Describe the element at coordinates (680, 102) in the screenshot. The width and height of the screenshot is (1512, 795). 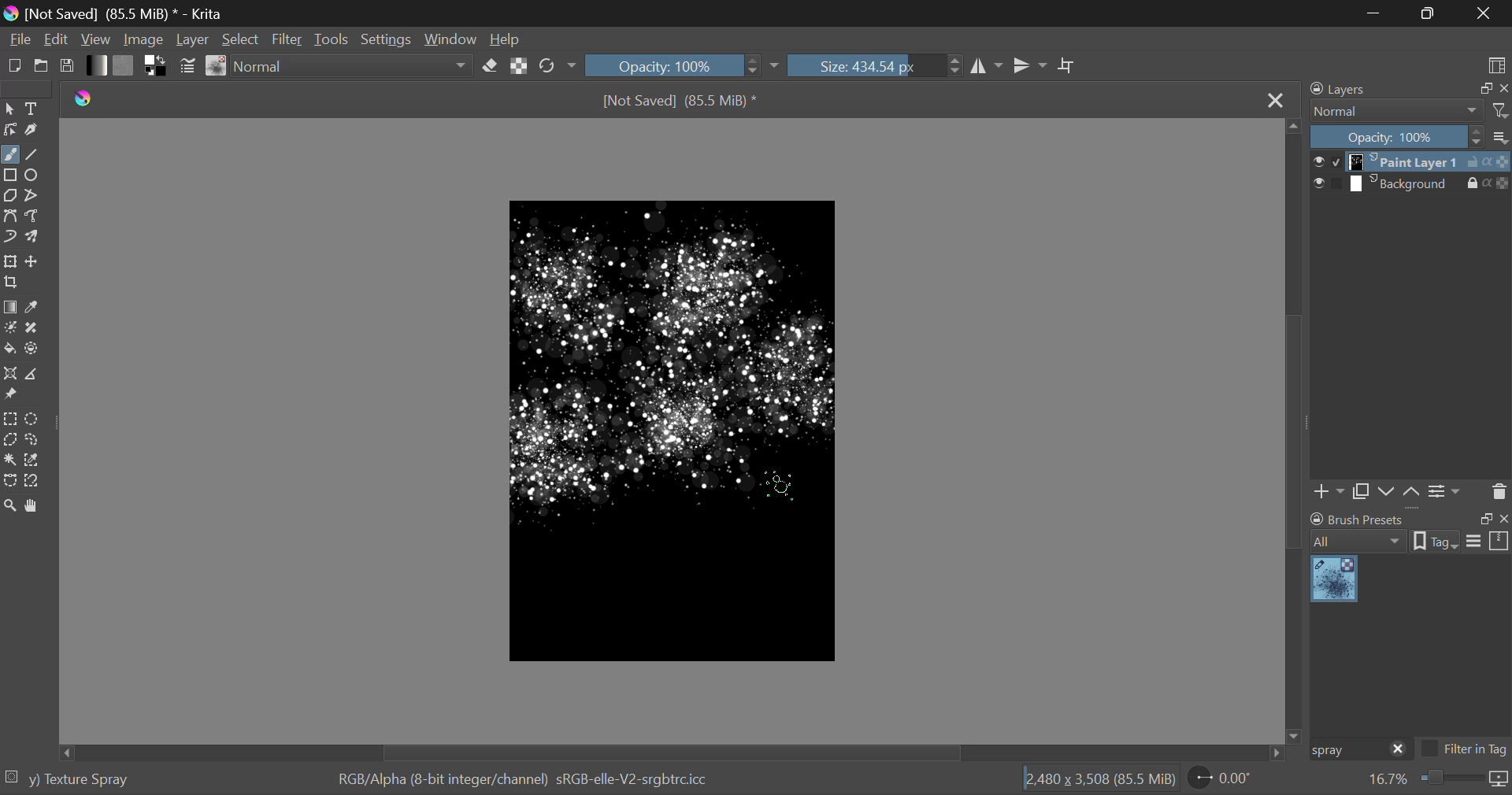
I see `[Not Saved] (69.2 MiB) *` at that location.